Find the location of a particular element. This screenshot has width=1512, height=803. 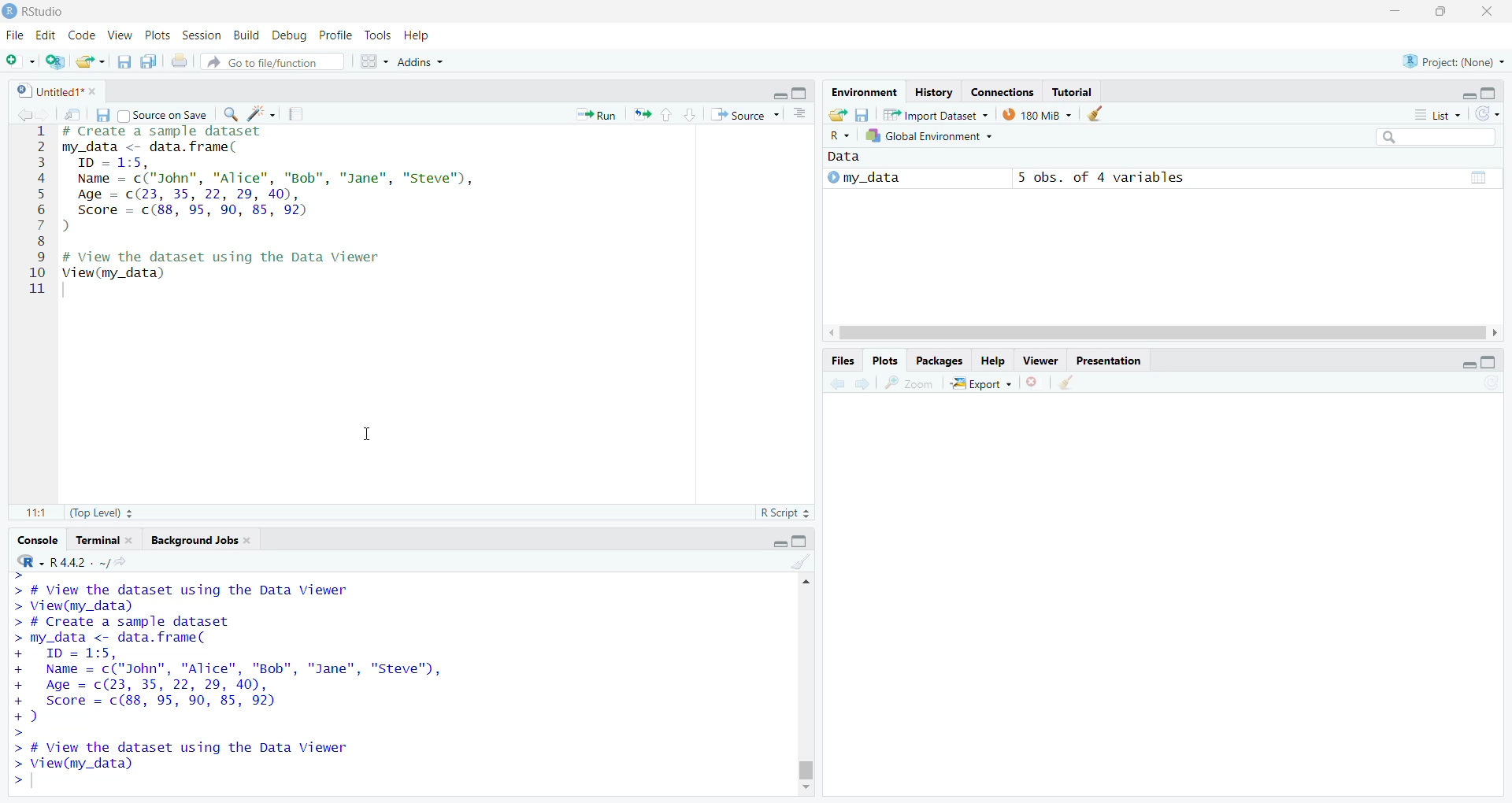

Forward is located at coordinates (862, 386).